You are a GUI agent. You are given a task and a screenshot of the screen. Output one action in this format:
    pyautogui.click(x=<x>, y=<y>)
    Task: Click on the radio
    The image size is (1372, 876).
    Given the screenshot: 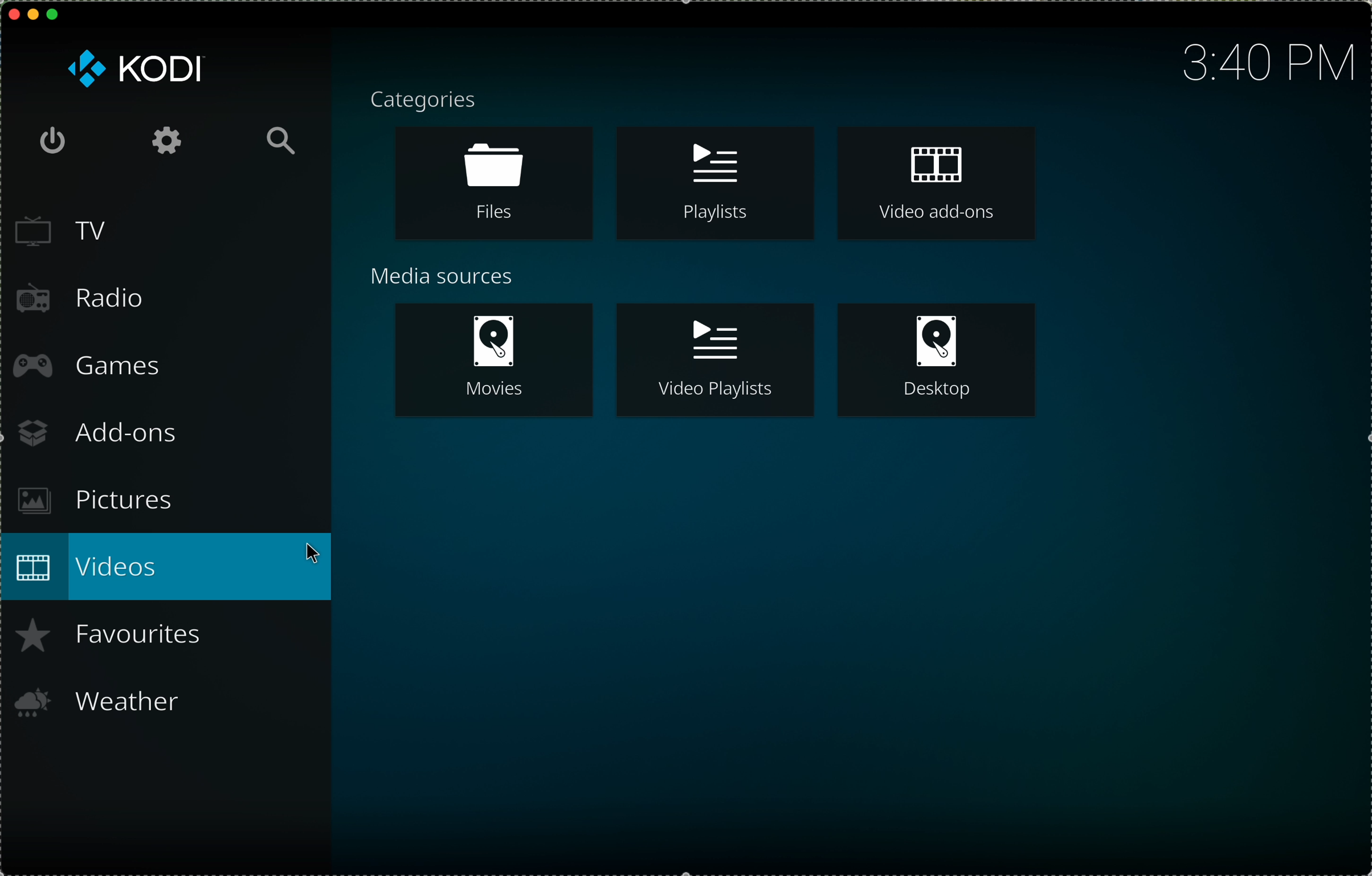 What is the action you would take?
    pyautogui.click(x=79, y=299)
    